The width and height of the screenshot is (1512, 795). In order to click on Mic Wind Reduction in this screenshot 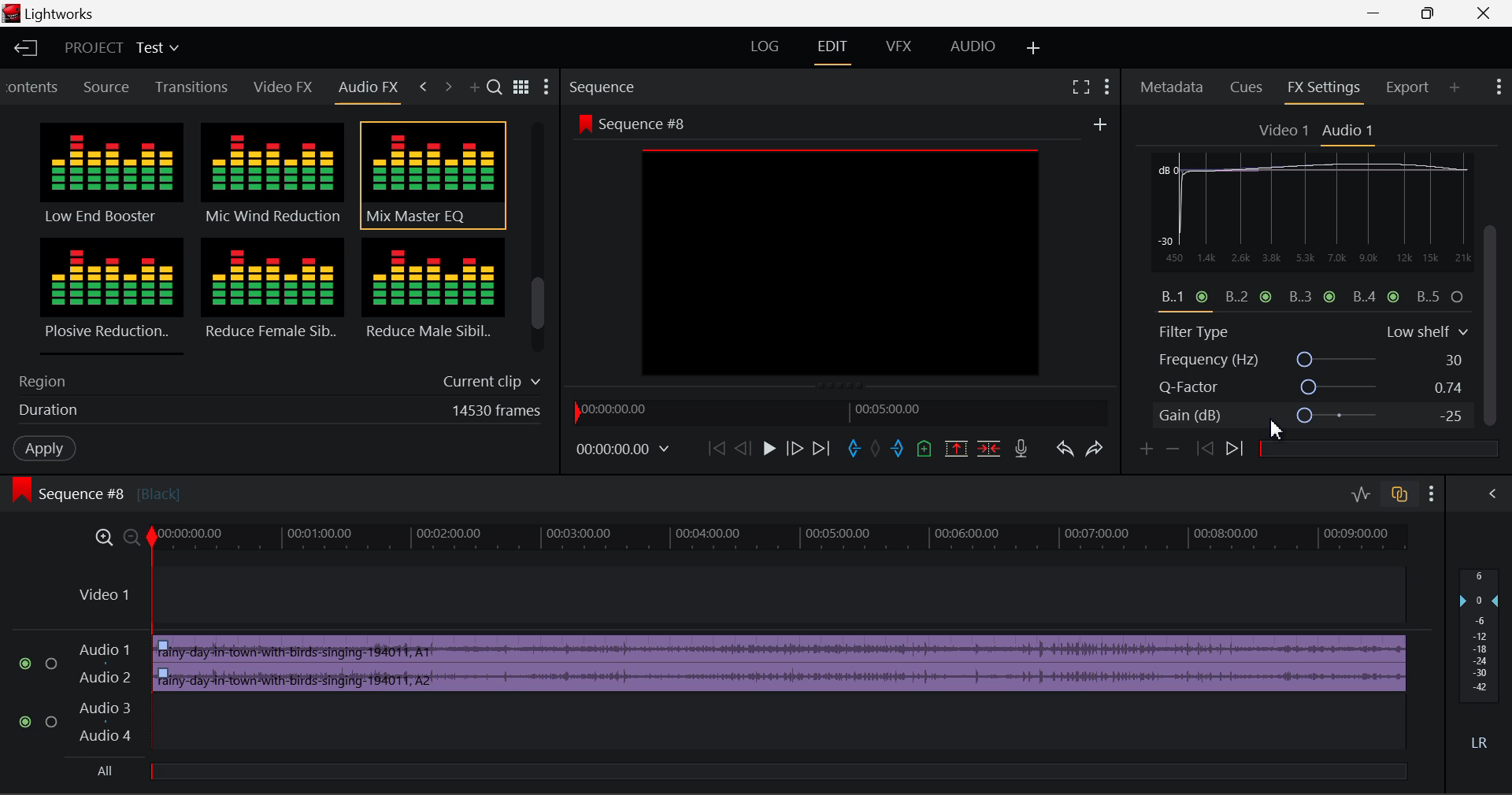, I will do `click(273, 176)`.